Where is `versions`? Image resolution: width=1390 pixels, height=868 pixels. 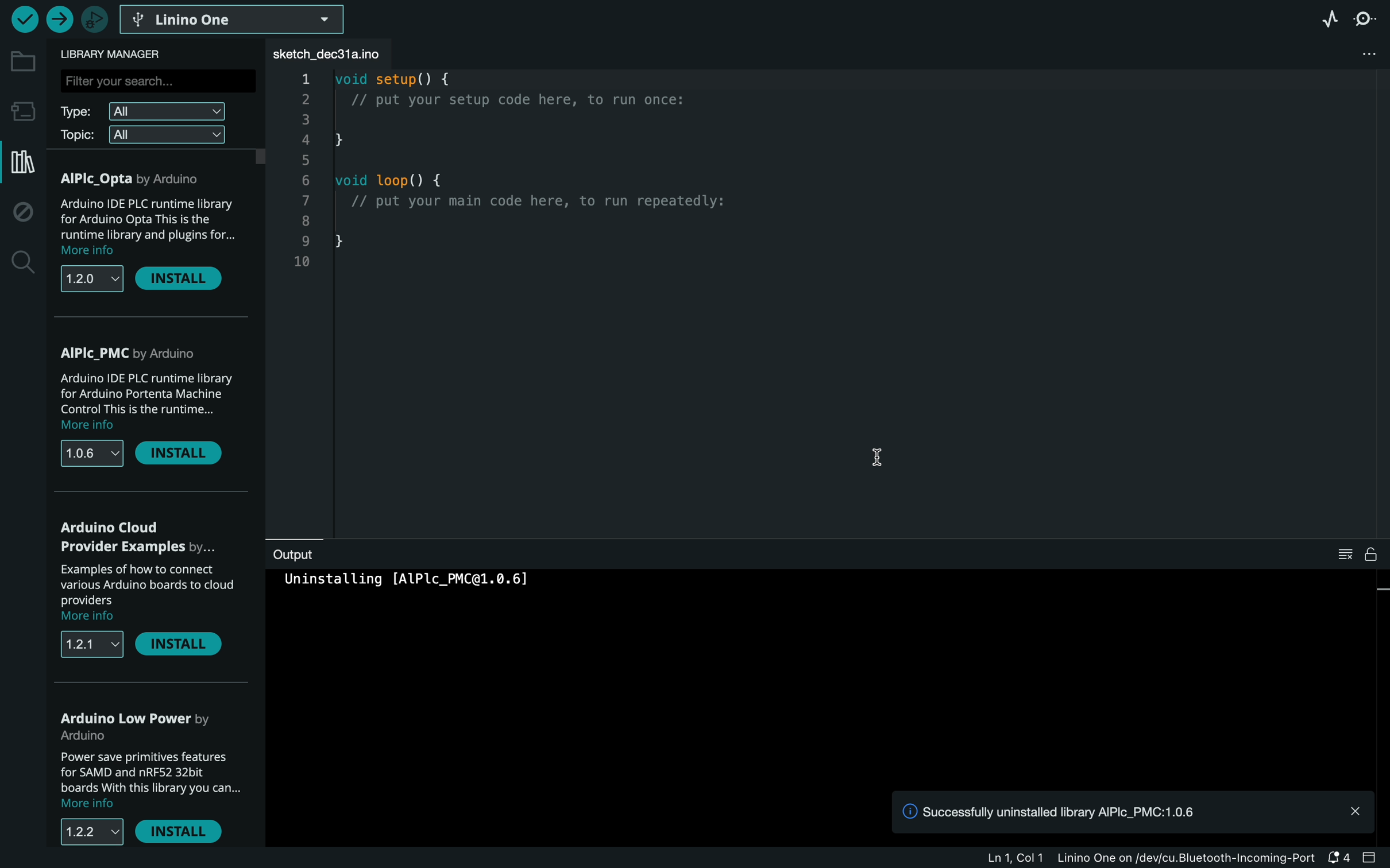
versions is located at coordinates (91, 278).